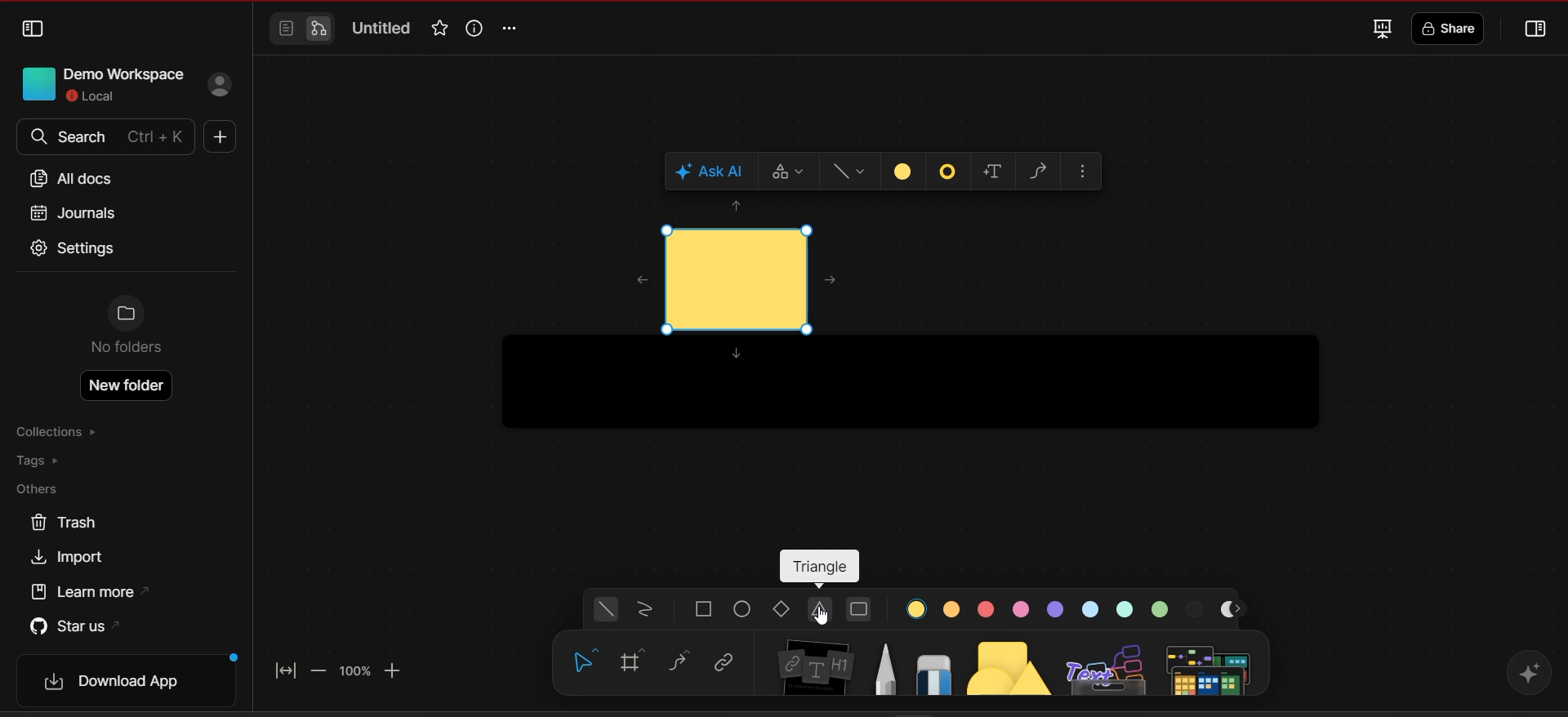  Describe the element at coordinates (822, 611) in the screenshot. I see `triangle` at that location.